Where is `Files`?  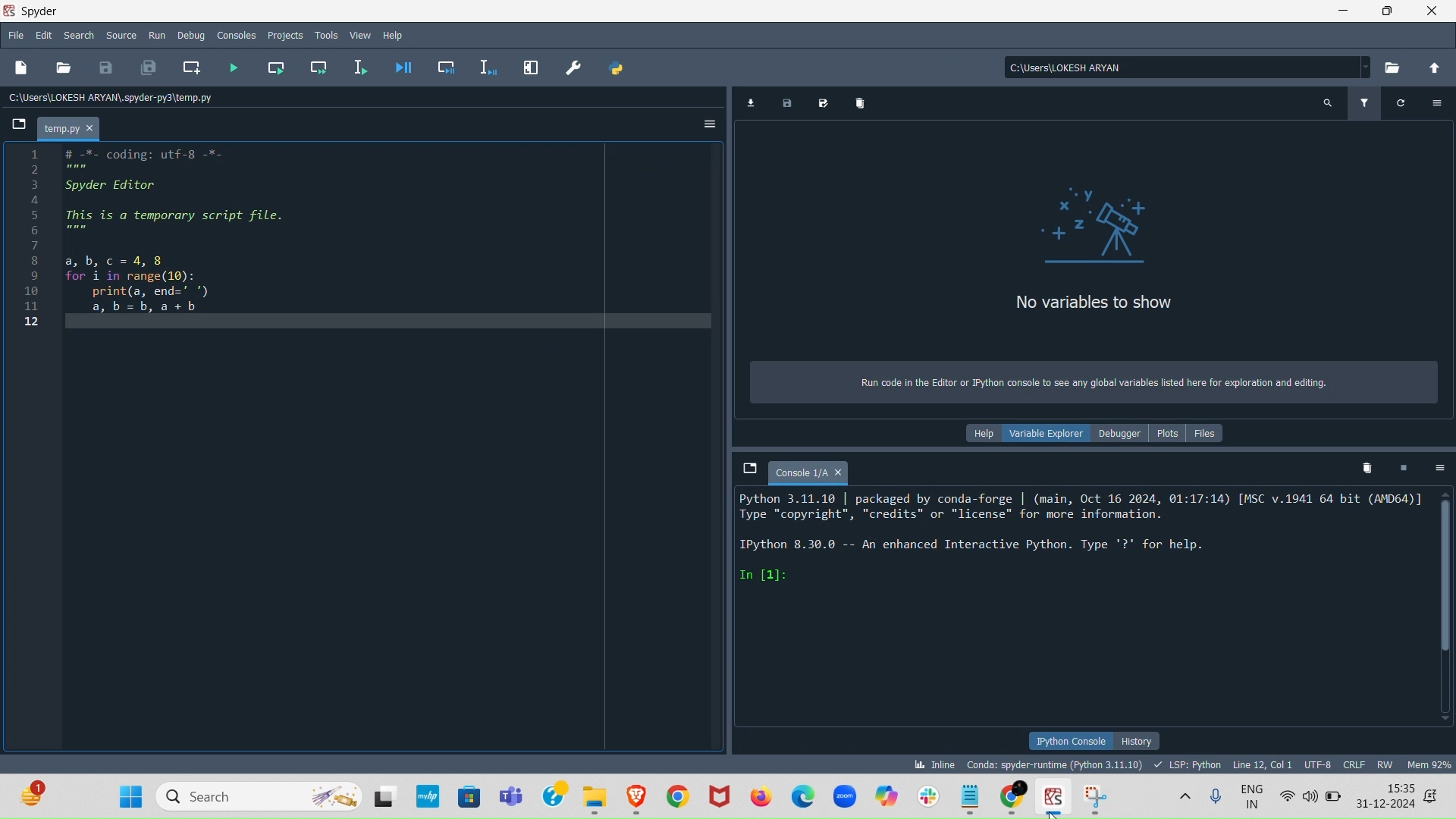 Files is located at coordinates (1216, 431).